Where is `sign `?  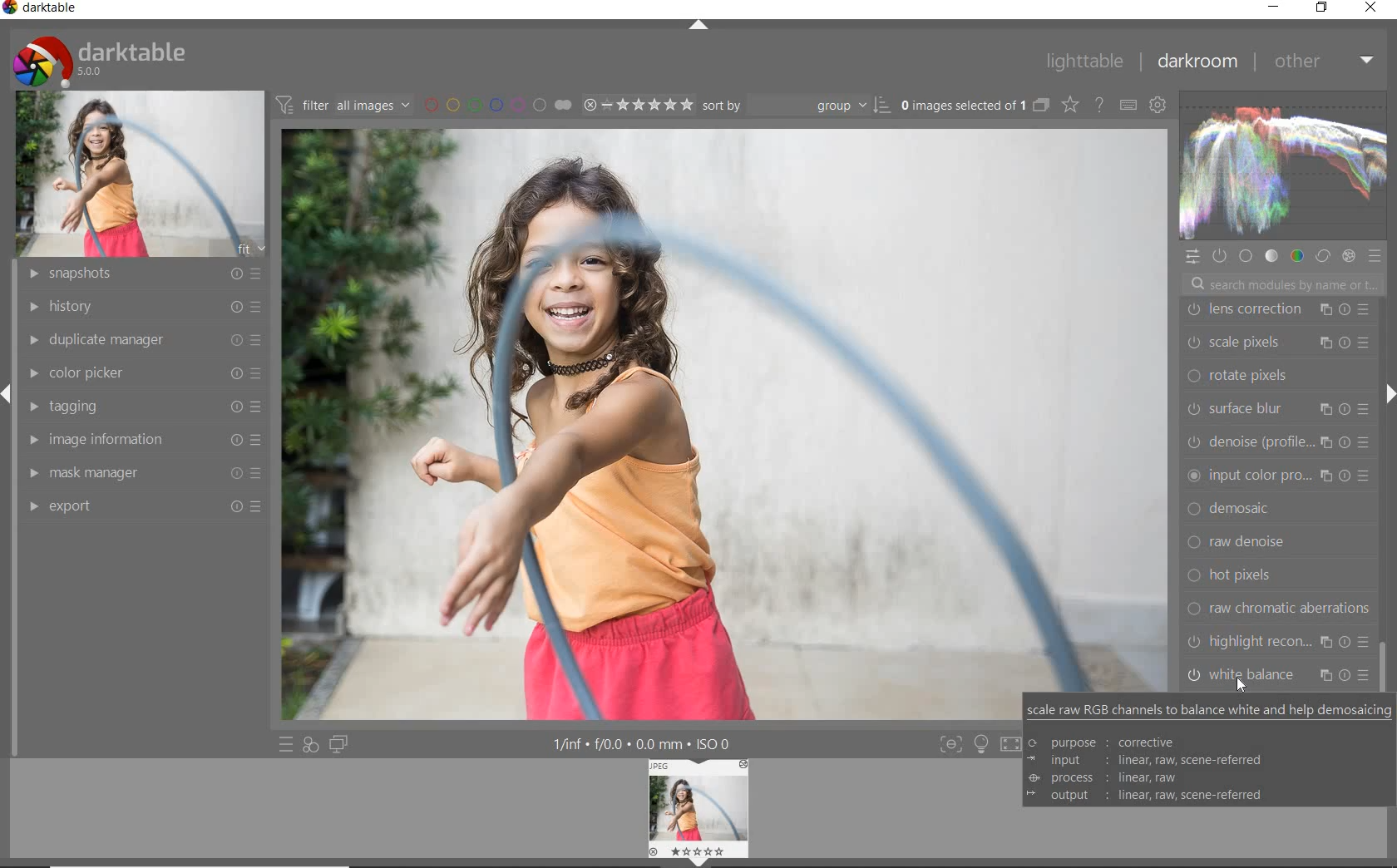 sign  is located at coordinates (980, 744).